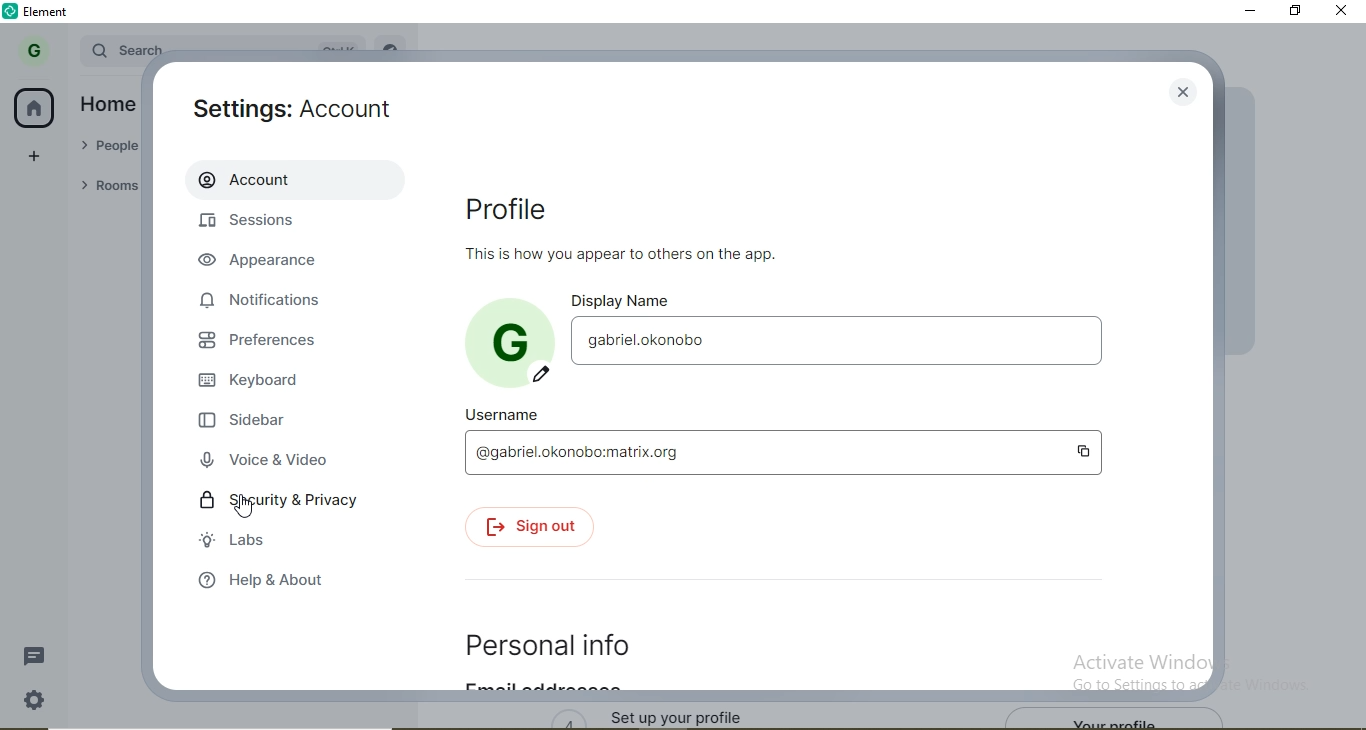  Describe the element at coordinates (35, 161) in the screenshot. I see `add space` at that location.